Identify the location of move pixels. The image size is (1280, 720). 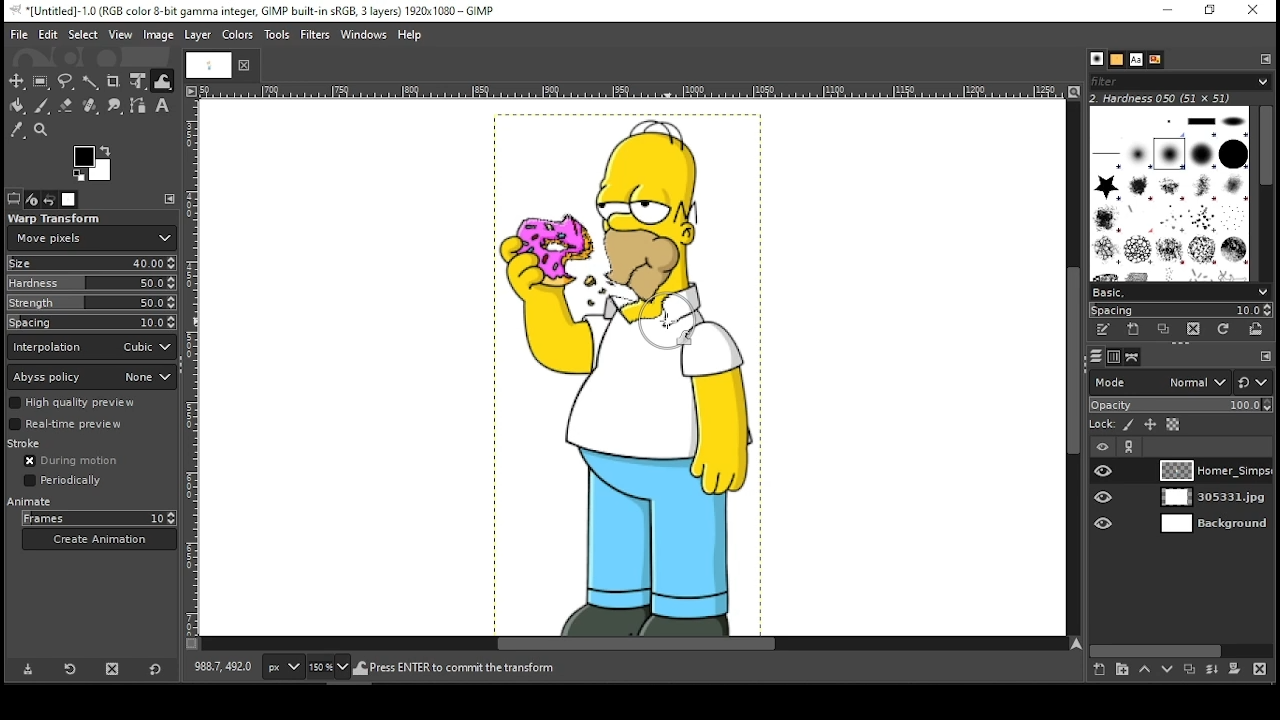
(91, 238).